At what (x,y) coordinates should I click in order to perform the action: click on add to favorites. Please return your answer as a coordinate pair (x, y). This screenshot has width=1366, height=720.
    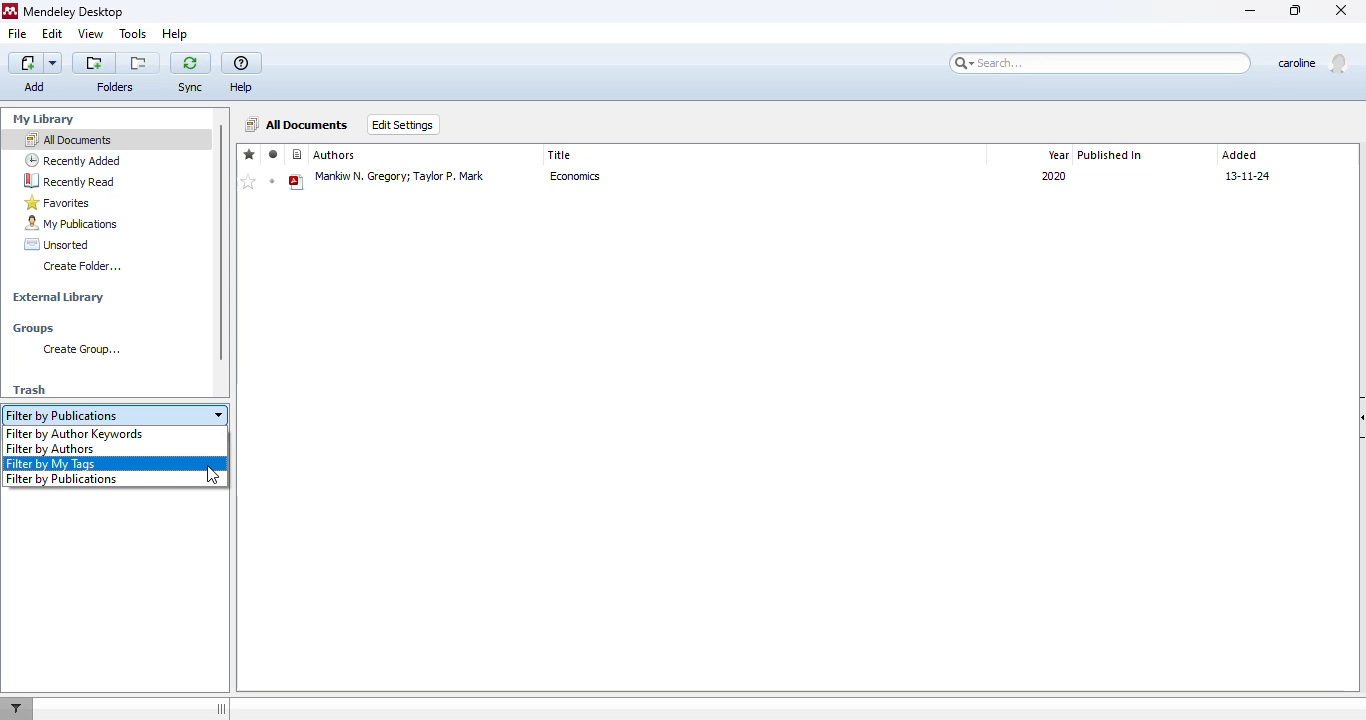
    Looking at the image, I should click on (248, 182).